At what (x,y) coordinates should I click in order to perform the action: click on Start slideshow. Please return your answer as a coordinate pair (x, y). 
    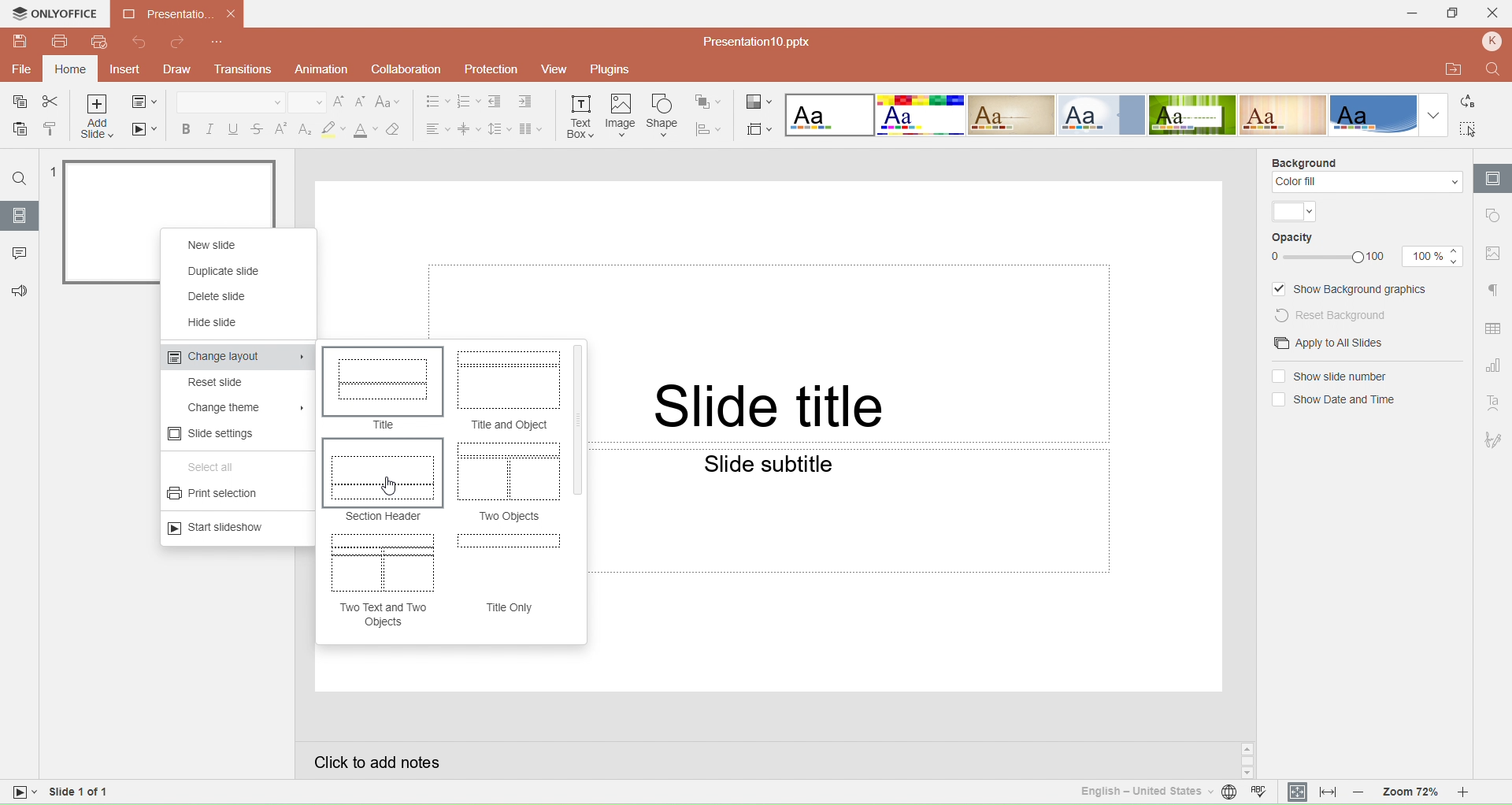
    Looking at the image, I should click on (220, 528).